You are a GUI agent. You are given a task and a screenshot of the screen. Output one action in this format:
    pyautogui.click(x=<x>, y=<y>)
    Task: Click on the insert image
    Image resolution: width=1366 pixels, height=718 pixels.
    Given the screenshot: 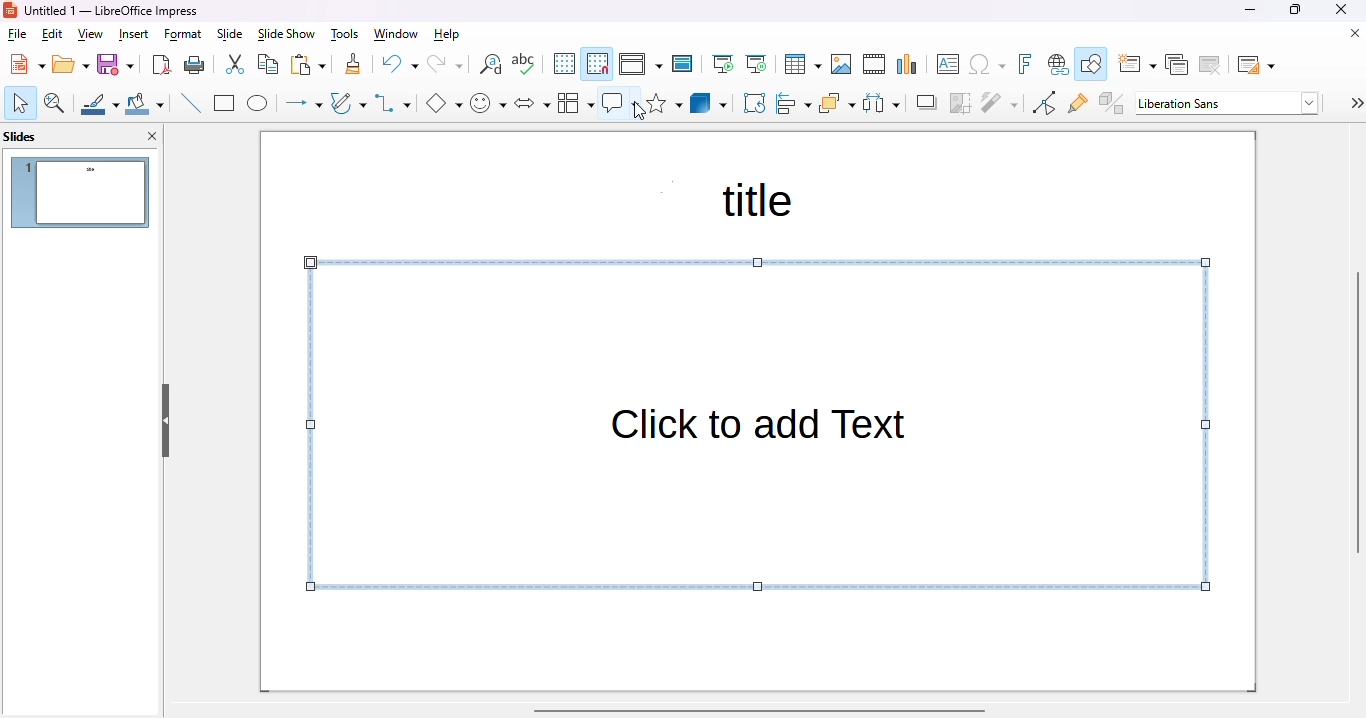 What is the action you would take?
    pyautogui.click(x=841, y=64)
    